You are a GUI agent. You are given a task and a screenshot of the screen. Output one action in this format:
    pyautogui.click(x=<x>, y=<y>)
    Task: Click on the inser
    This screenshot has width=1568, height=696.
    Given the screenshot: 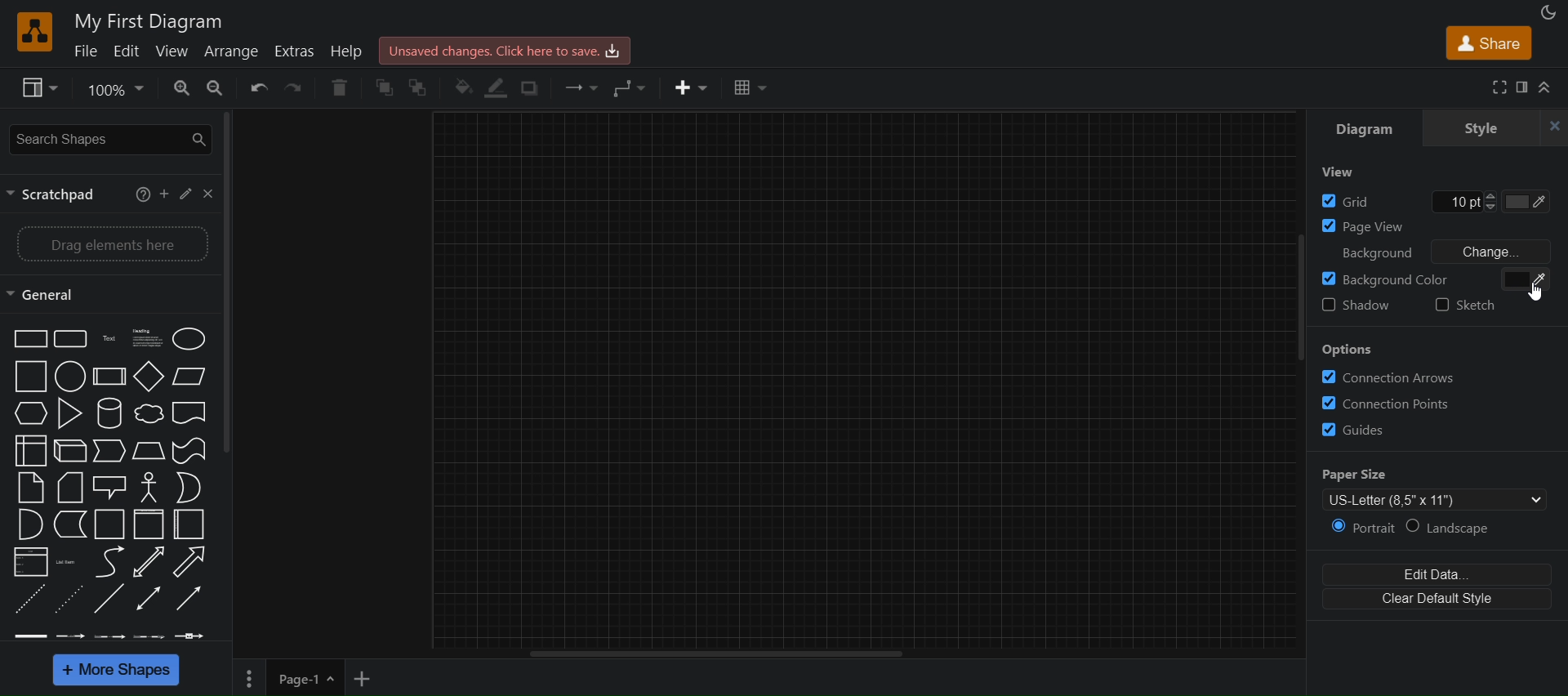 What is the action you would take?
    pyautogui.click(x=693, y=88)
    